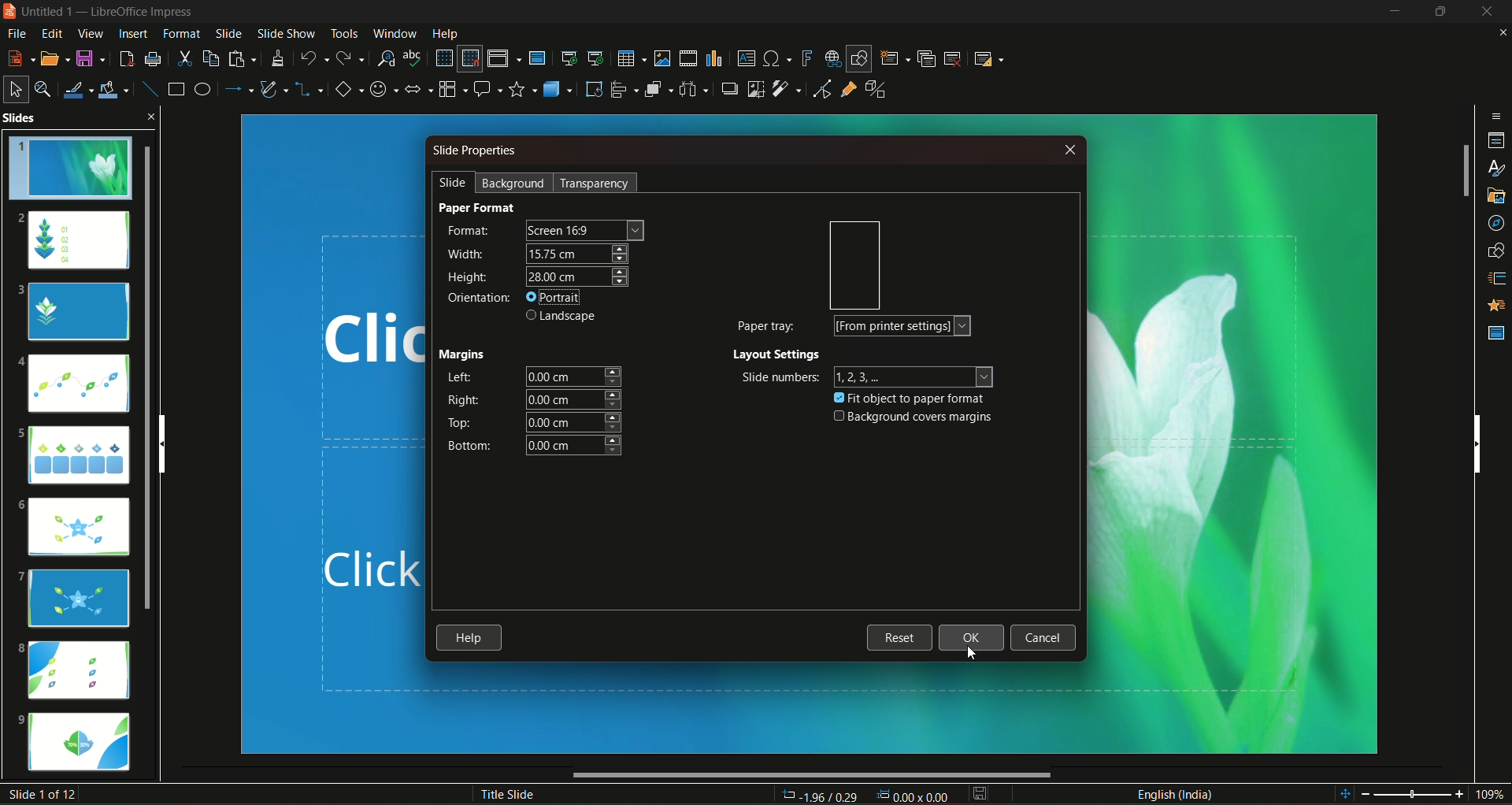 This screenshot has width=1512, height=805. What do you see at coordinates (91, 57) in the screenshot?
I see `save` at bounding box center [91, 57].